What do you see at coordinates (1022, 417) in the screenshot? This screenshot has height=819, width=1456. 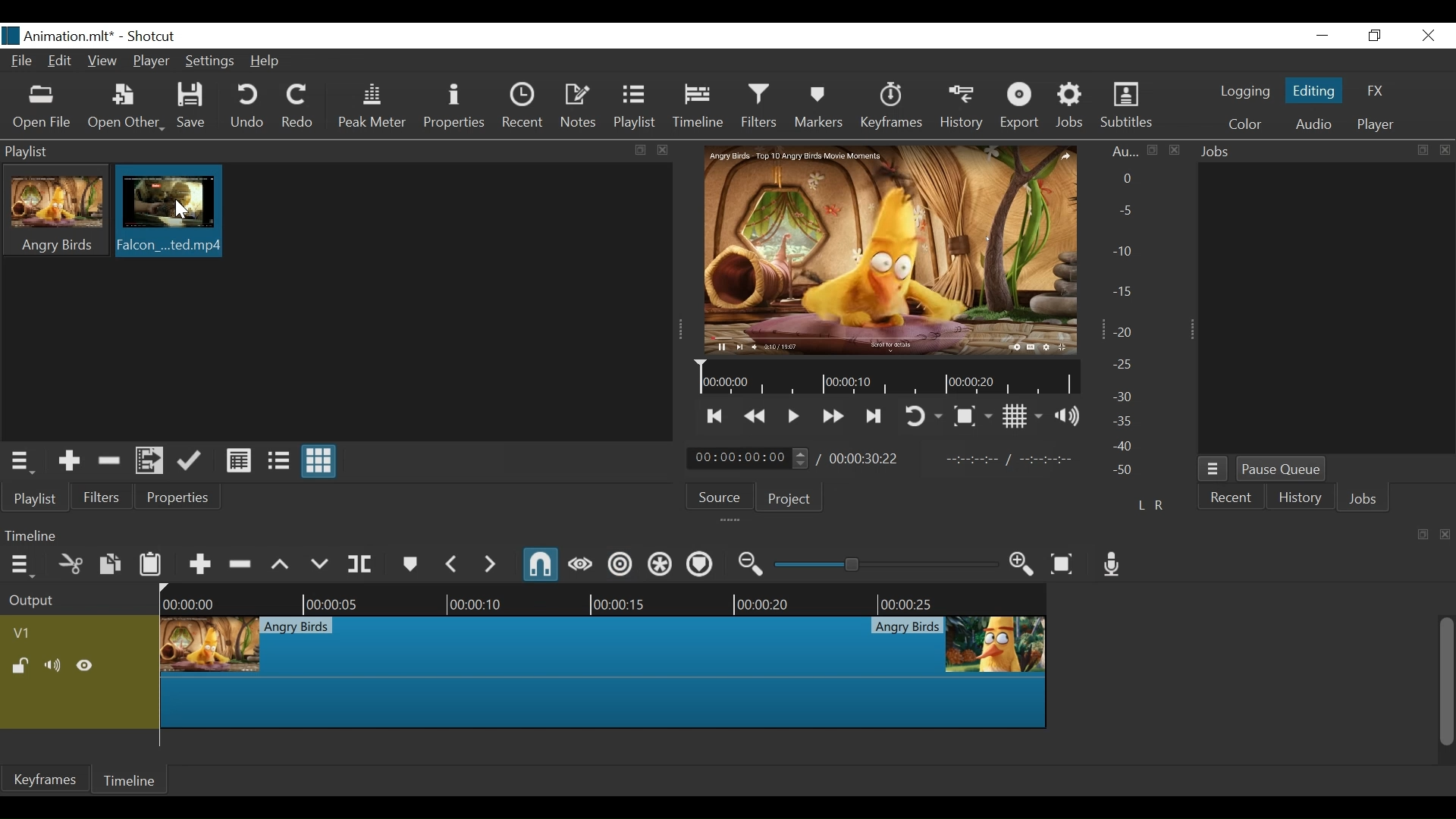 I see `Toggle display grid on player` at bounding box center [1022, 417].